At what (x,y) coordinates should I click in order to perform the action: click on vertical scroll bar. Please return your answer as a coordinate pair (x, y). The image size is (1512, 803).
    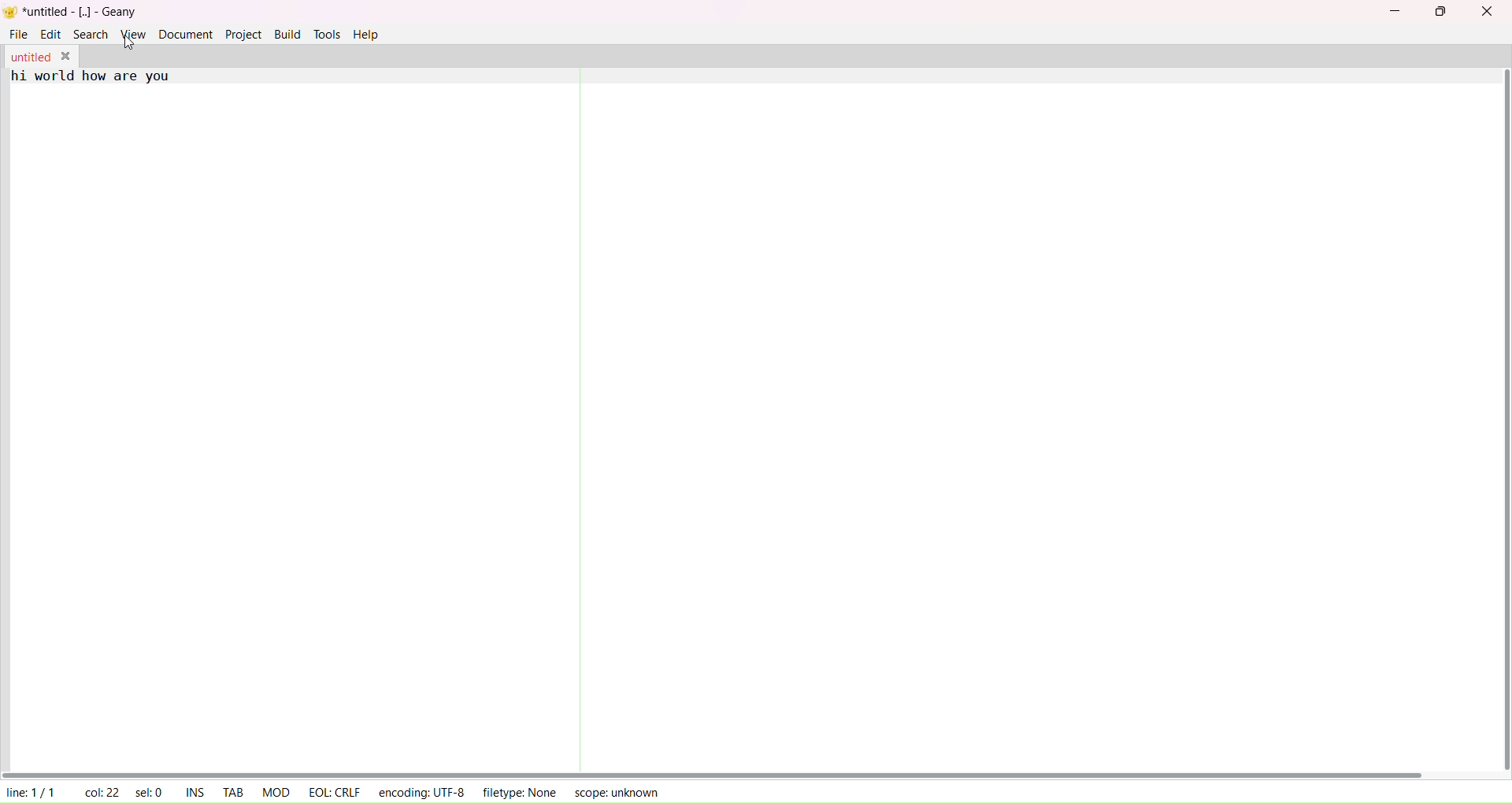
    Looking at the image, I should click on (1499, 420).